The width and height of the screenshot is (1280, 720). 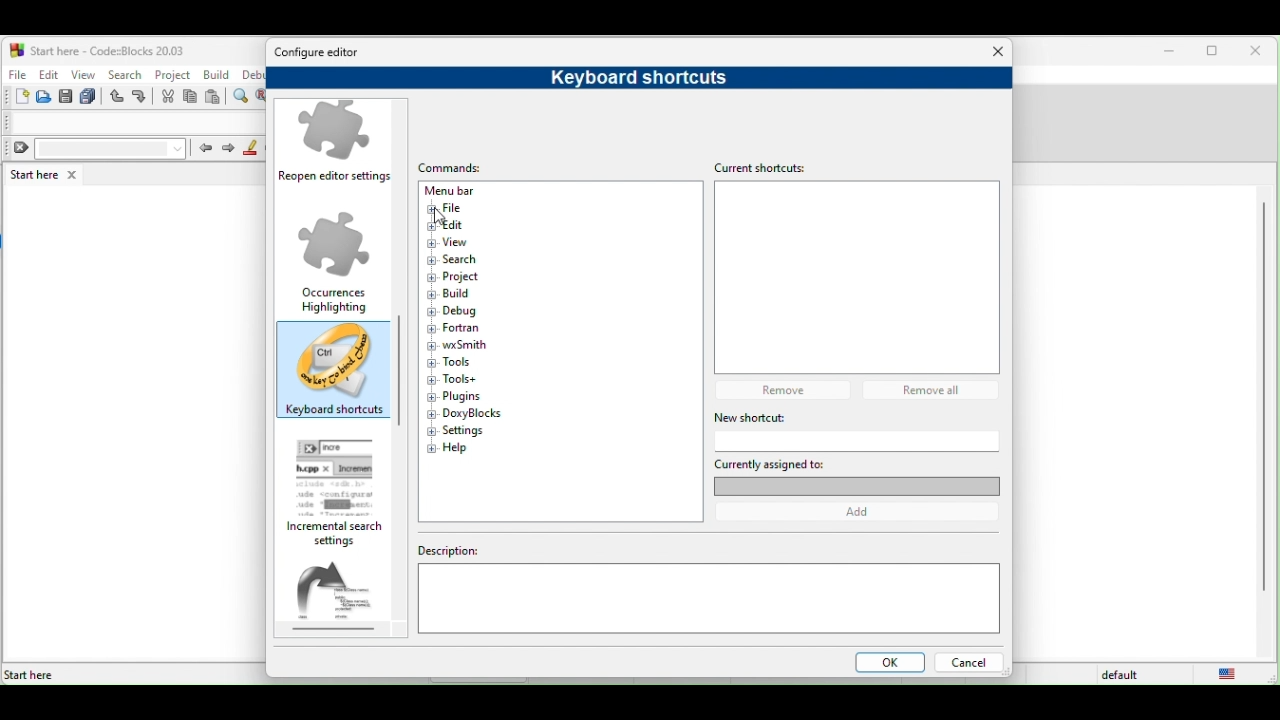 I want to click on remove all, so click(x=936, y=390).